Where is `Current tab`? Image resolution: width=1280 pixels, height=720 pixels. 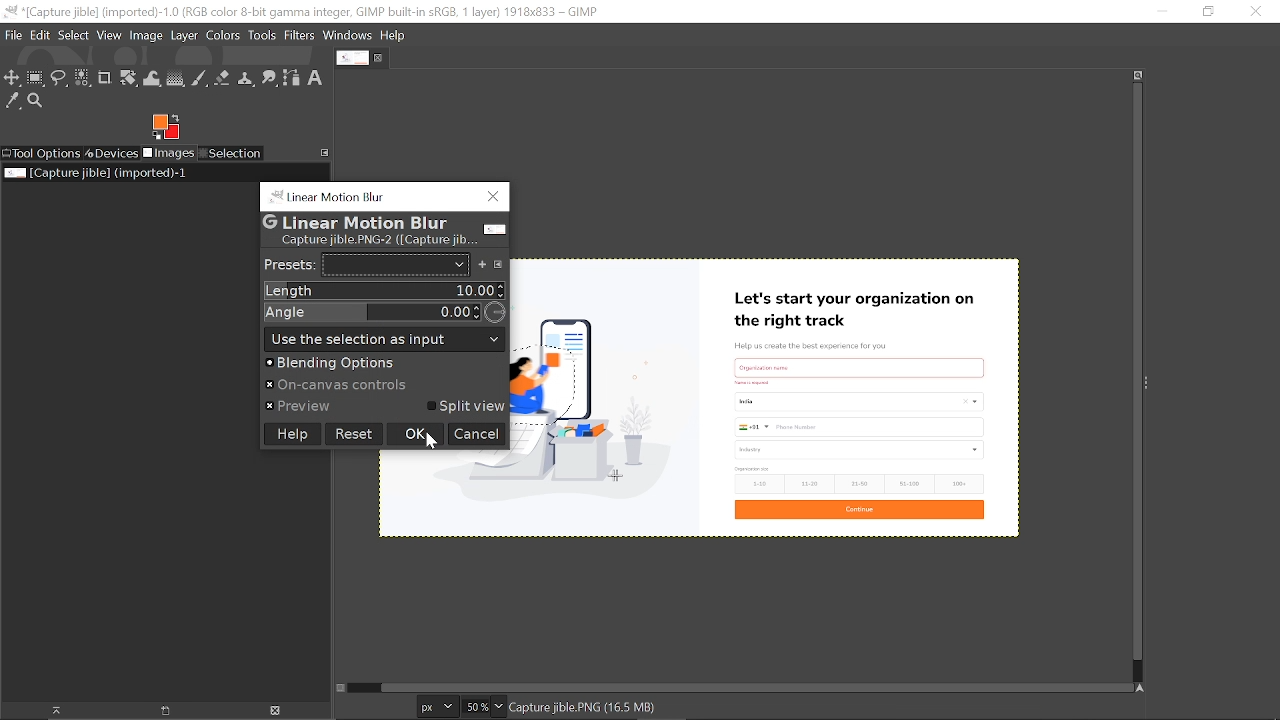 Current tab is located at coordinates (352, 58).